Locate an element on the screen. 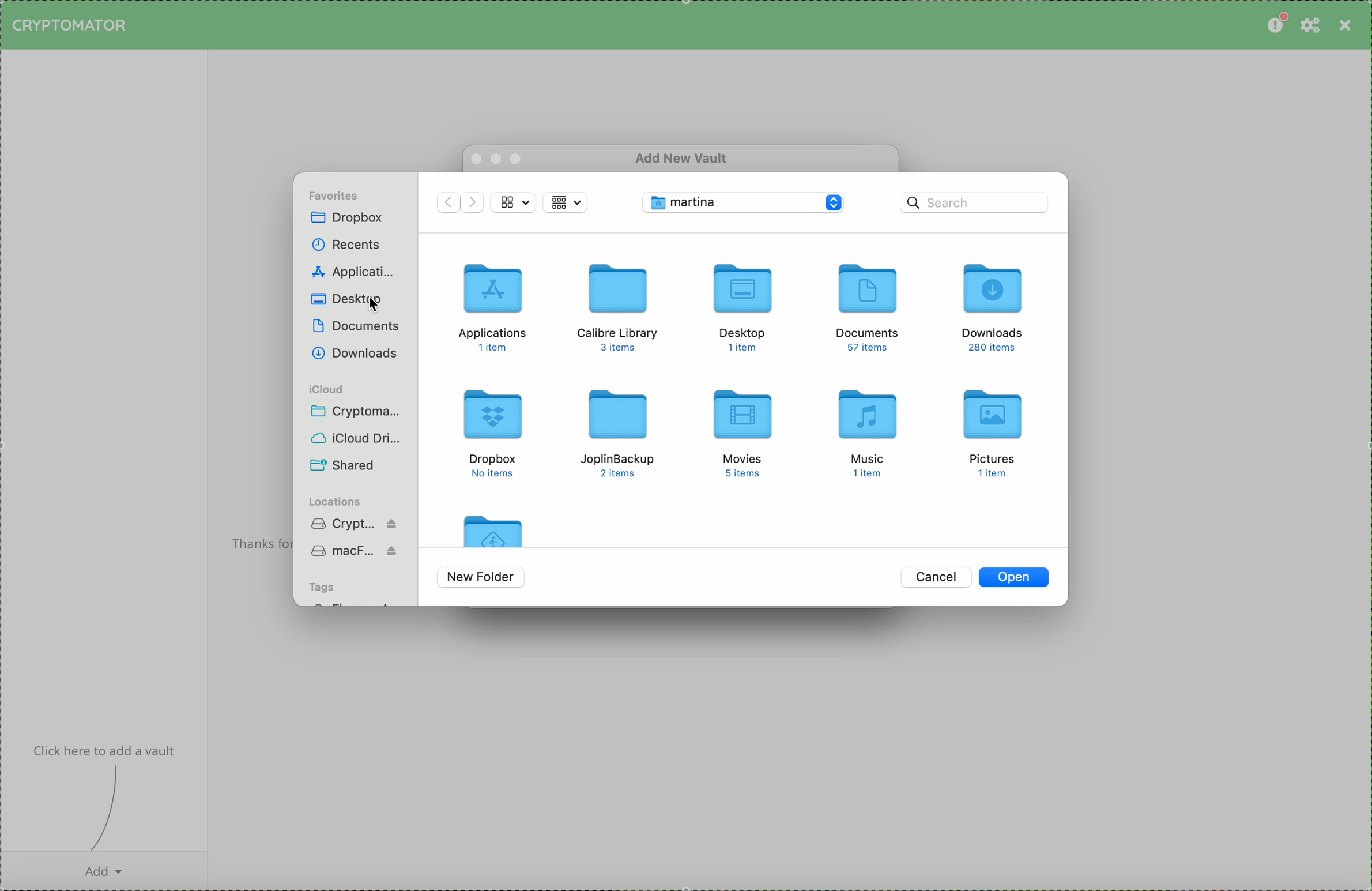 The height and width of the screenshot is (891, 1372). dropbox folder is located at coordinates (493, 431).